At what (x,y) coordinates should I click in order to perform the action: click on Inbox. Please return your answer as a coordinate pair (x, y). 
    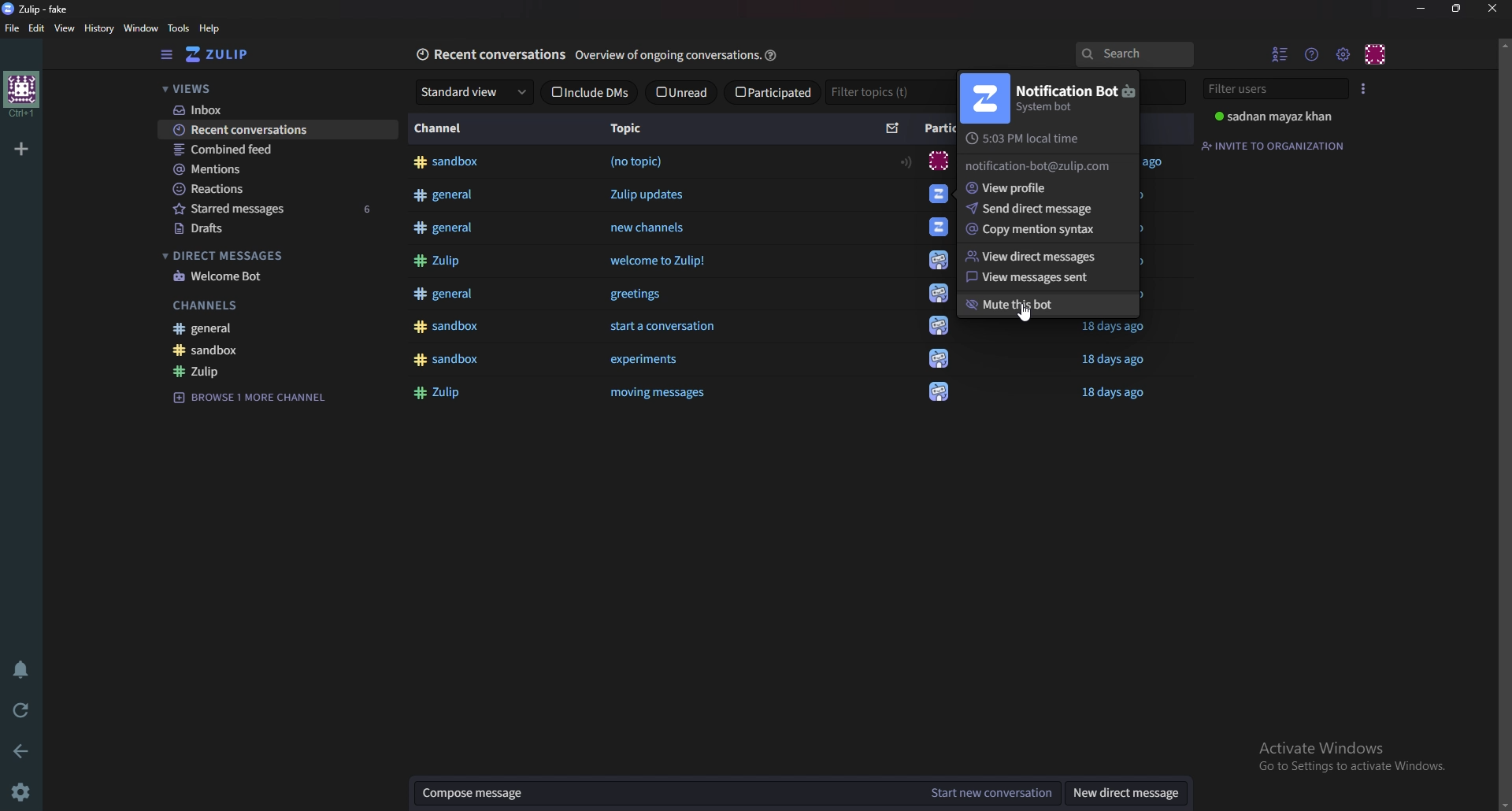
    Looking at the image, I should click on (272, 111).